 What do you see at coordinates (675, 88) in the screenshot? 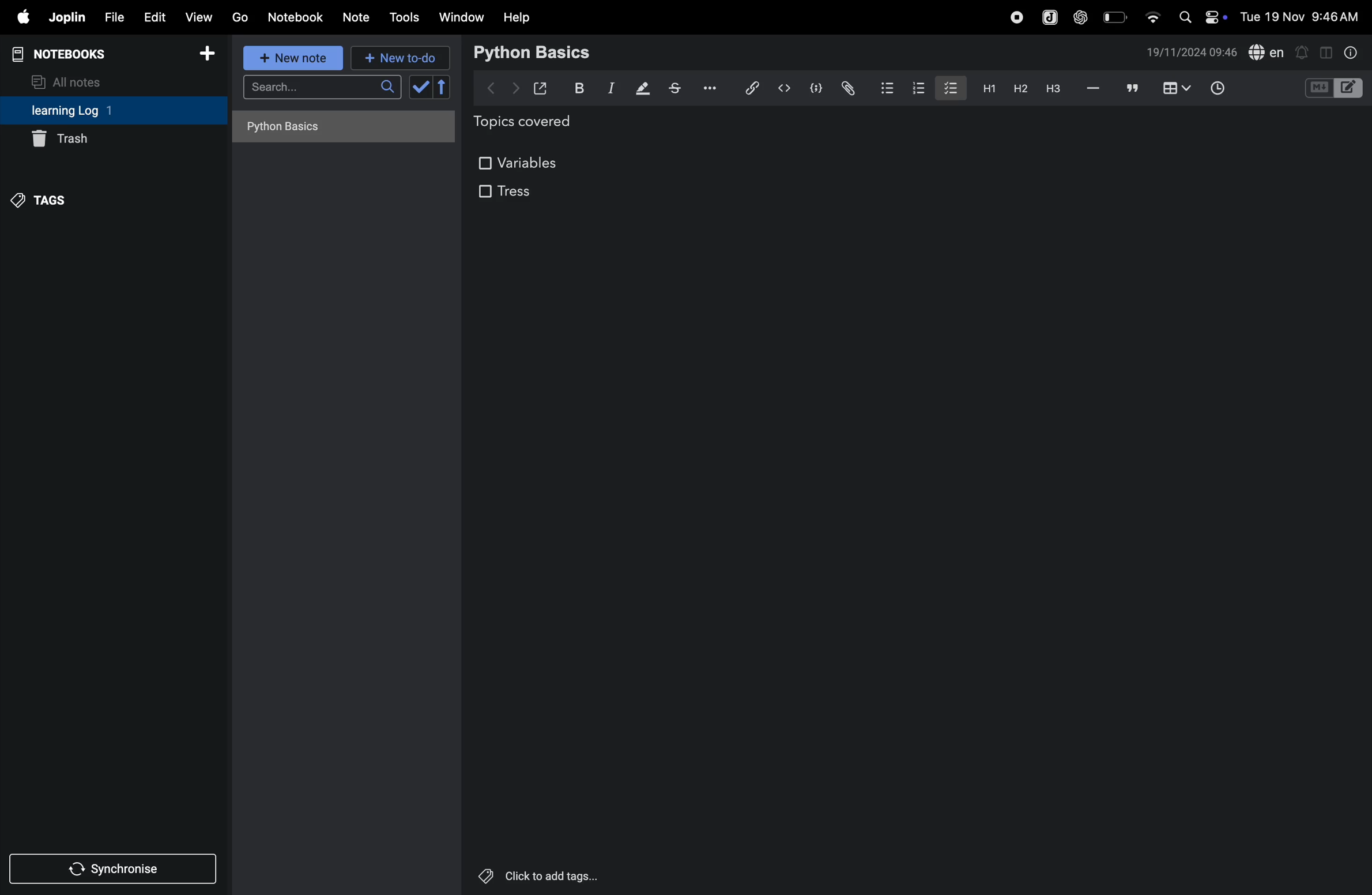
I see `strike through` at bounding box center [675, 88].